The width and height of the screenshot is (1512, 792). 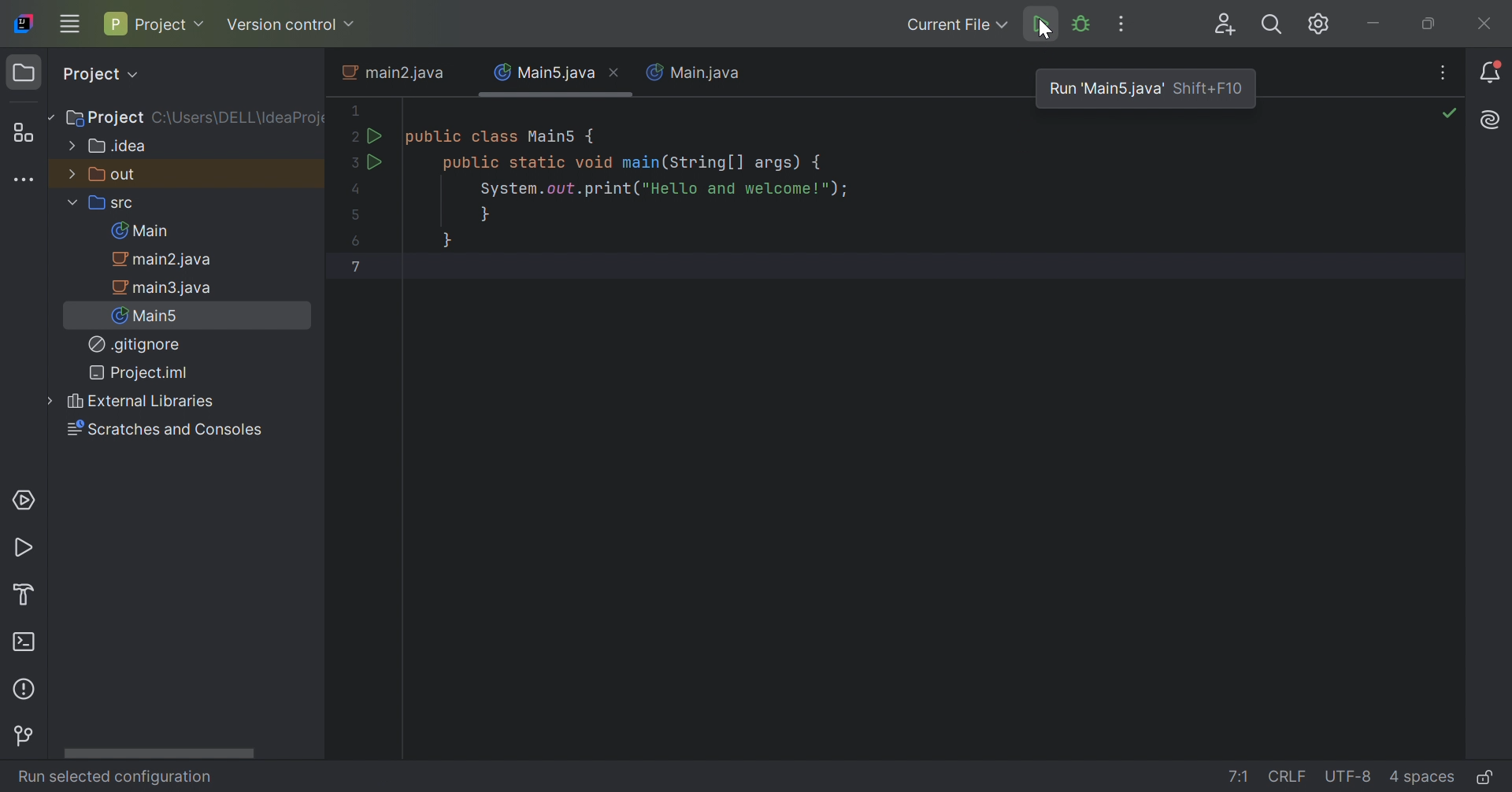 I want to click on 3, so click(x=357, y=165).